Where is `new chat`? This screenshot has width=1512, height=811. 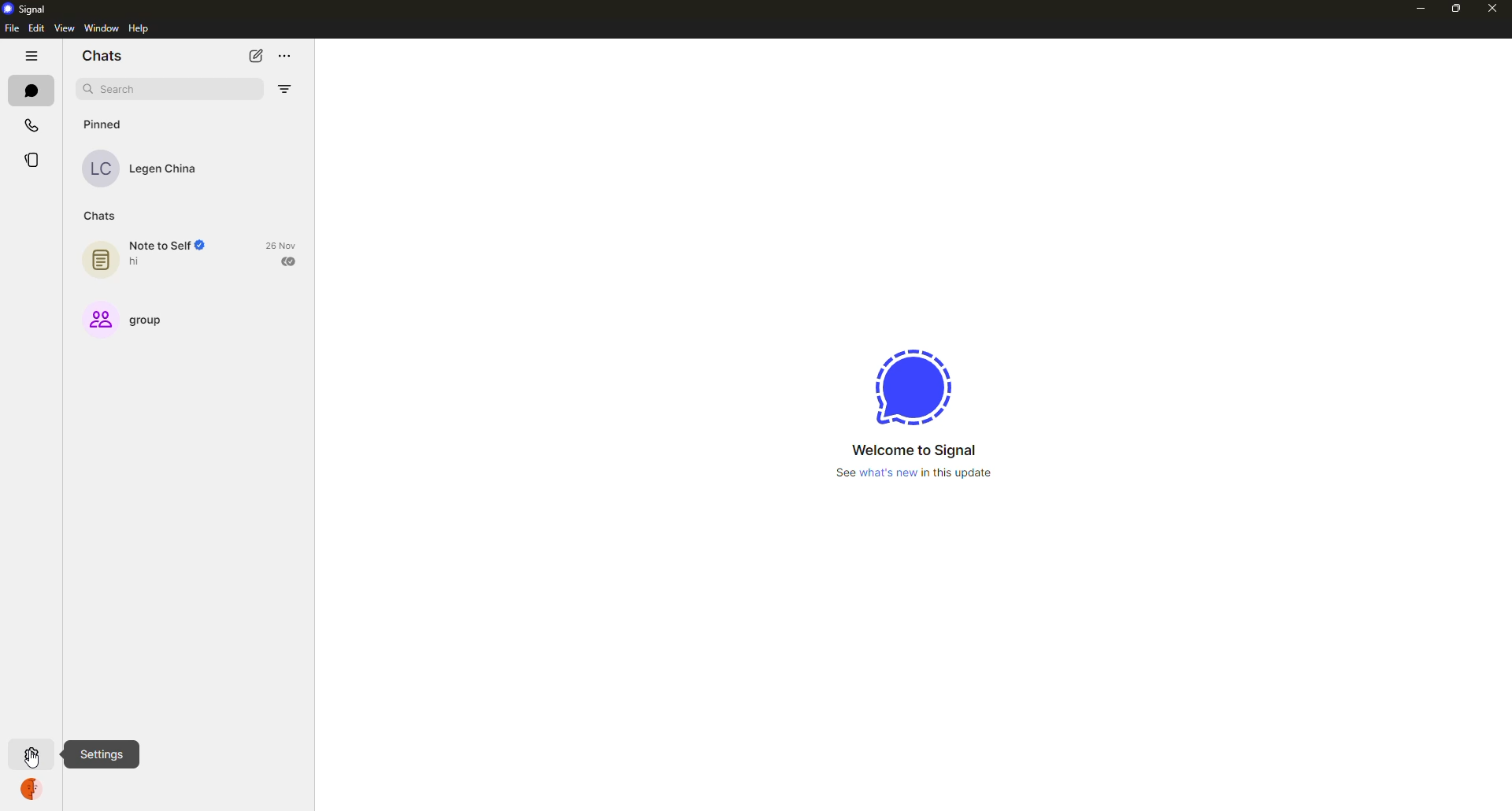 new chat is located at coordinates (257, 56).